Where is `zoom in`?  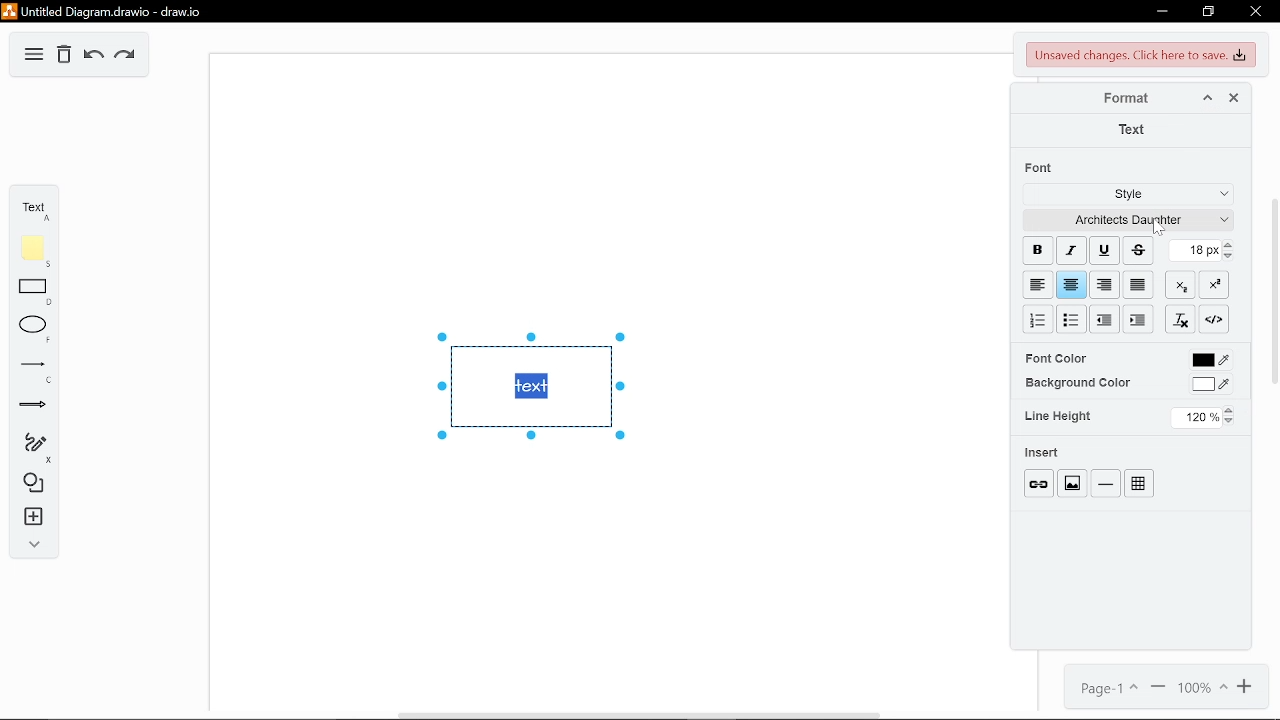 zoom in is located at coordinates (1247, 689).